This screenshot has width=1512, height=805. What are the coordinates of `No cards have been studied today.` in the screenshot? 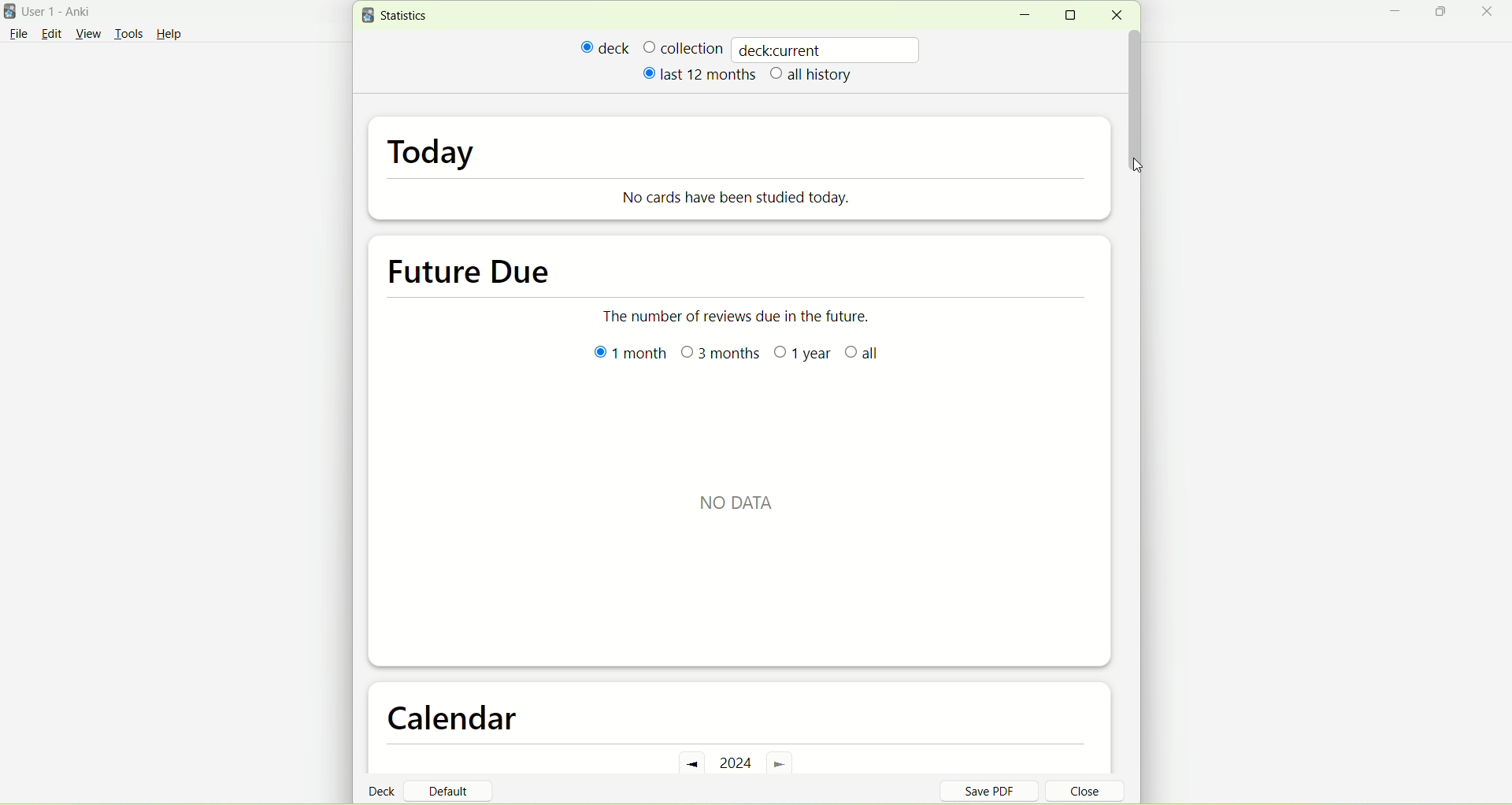 It's located at (745, 197).